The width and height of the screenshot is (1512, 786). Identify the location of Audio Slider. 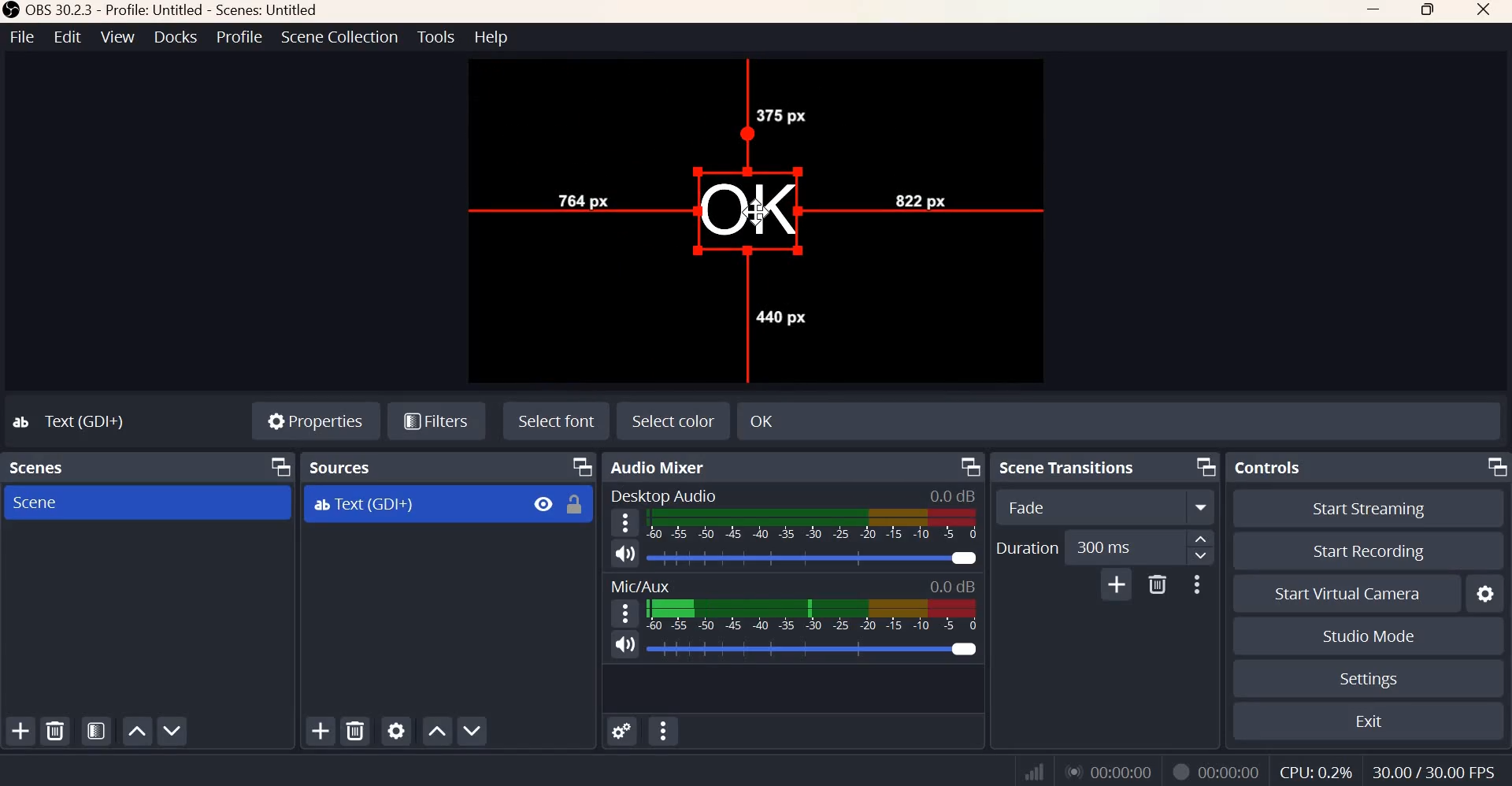
(816, 649).